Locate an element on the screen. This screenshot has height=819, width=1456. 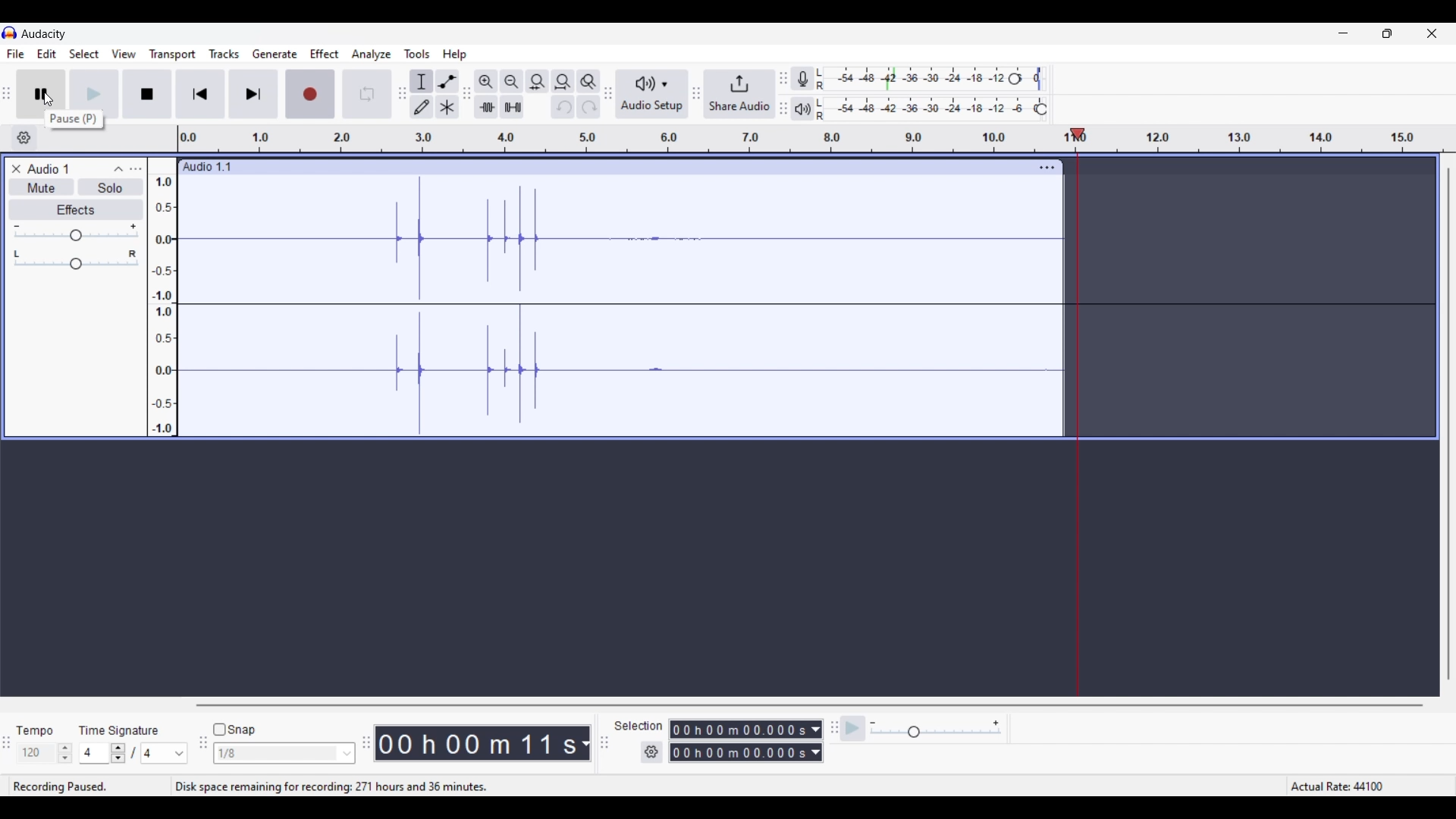
Current status of recording is located at coordinates (63, 786).